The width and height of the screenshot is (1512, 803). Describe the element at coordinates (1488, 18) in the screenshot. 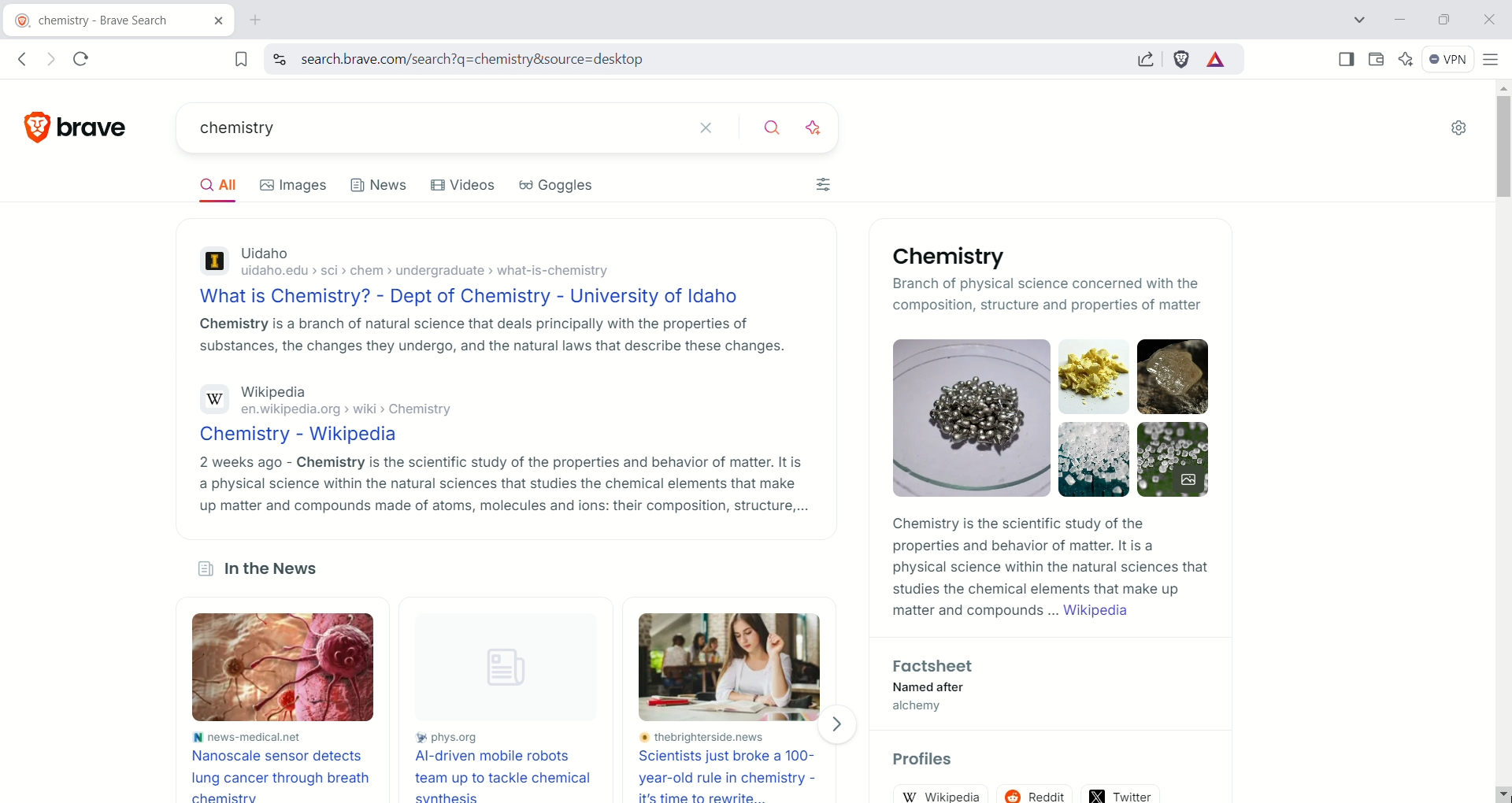

I see `close` at that location.